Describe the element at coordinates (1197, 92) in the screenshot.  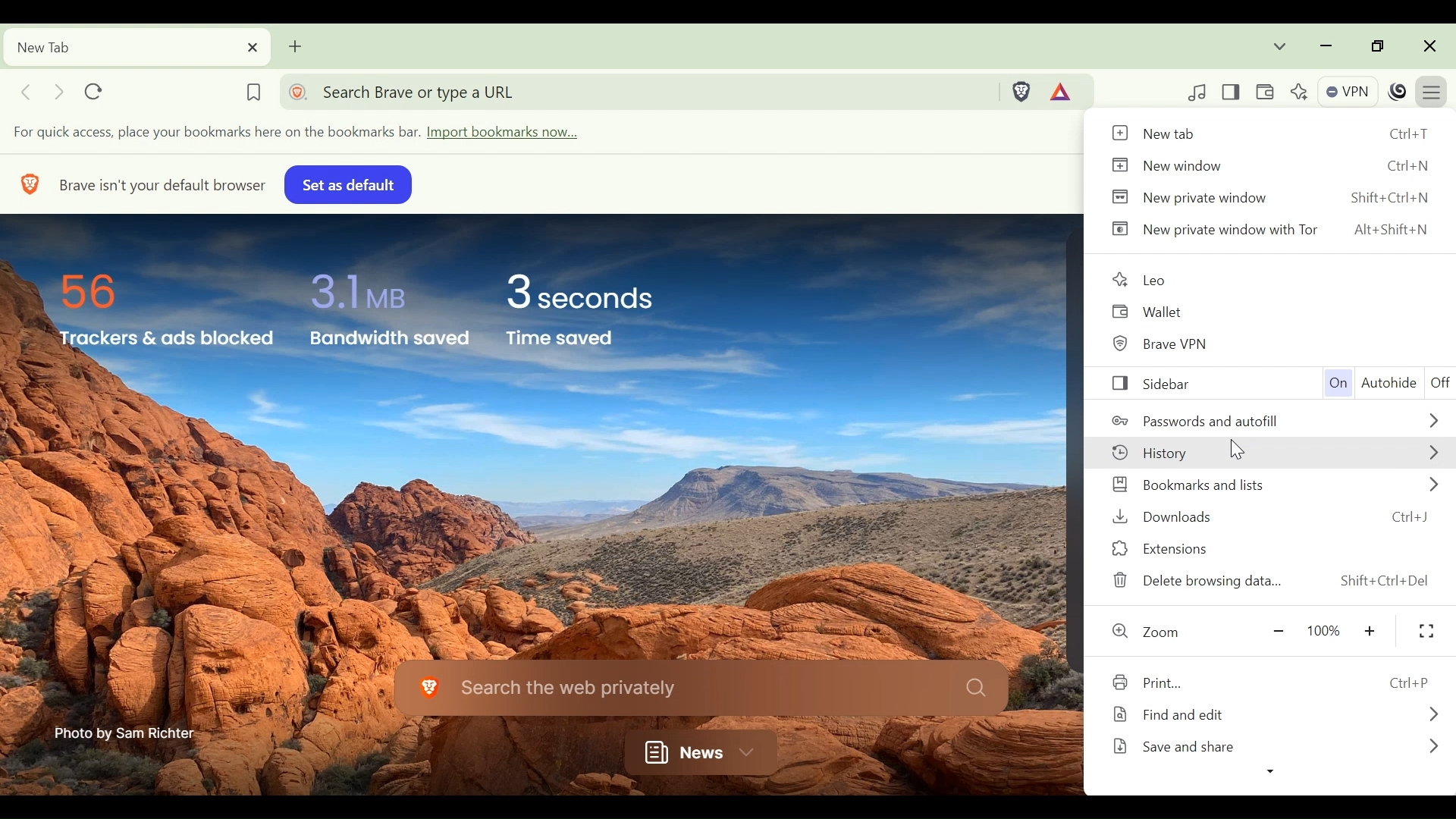
I see `Control your videos, music and more` at that location.